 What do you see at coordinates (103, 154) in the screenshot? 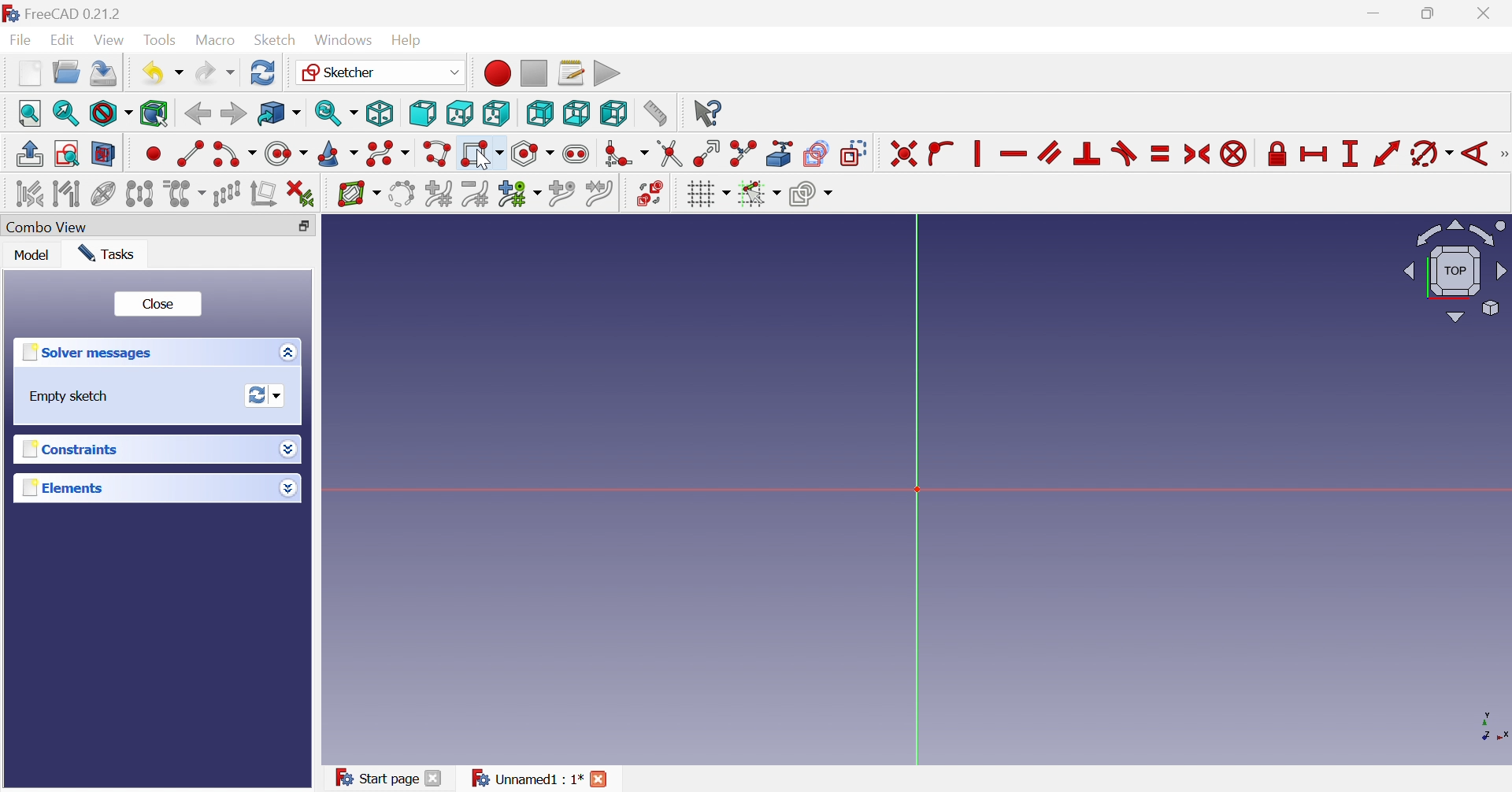
I see `View section` at bounding box center [103, 154].